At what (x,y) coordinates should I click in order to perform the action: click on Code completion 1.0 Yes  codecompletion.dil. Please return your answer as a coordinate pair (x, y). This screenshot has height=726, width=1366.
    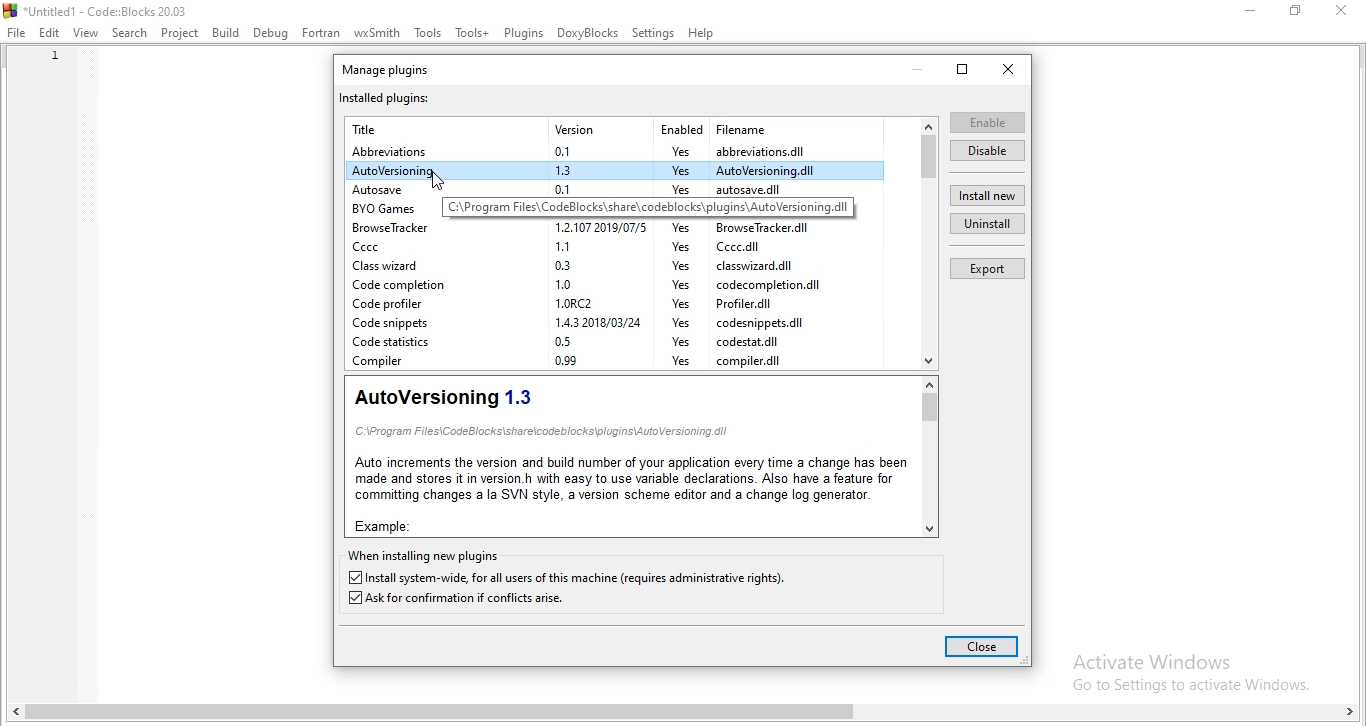
    Looking at the image, I should click on (588, 284).